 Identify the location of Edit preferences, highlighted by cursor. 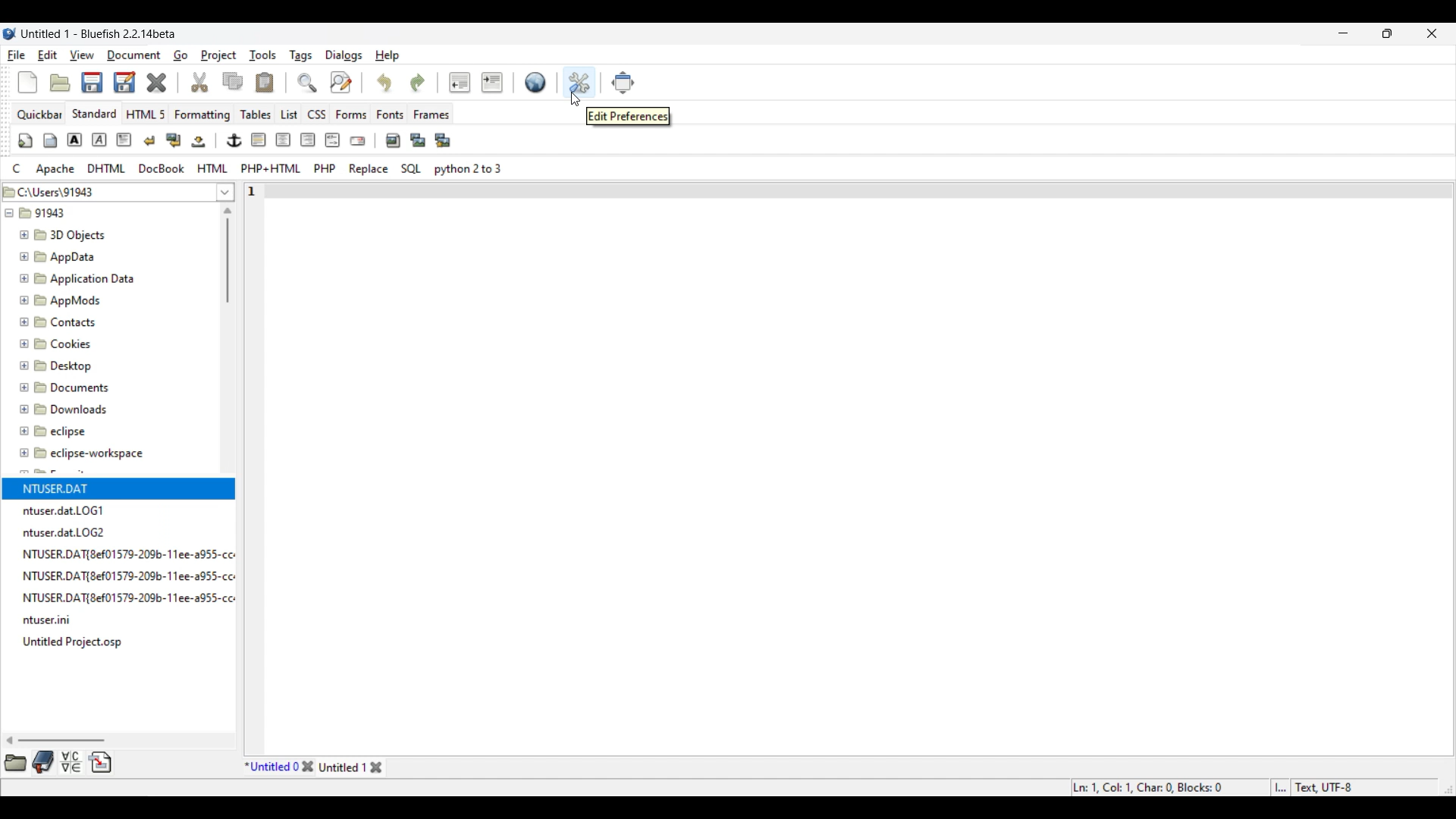
(579, 81).